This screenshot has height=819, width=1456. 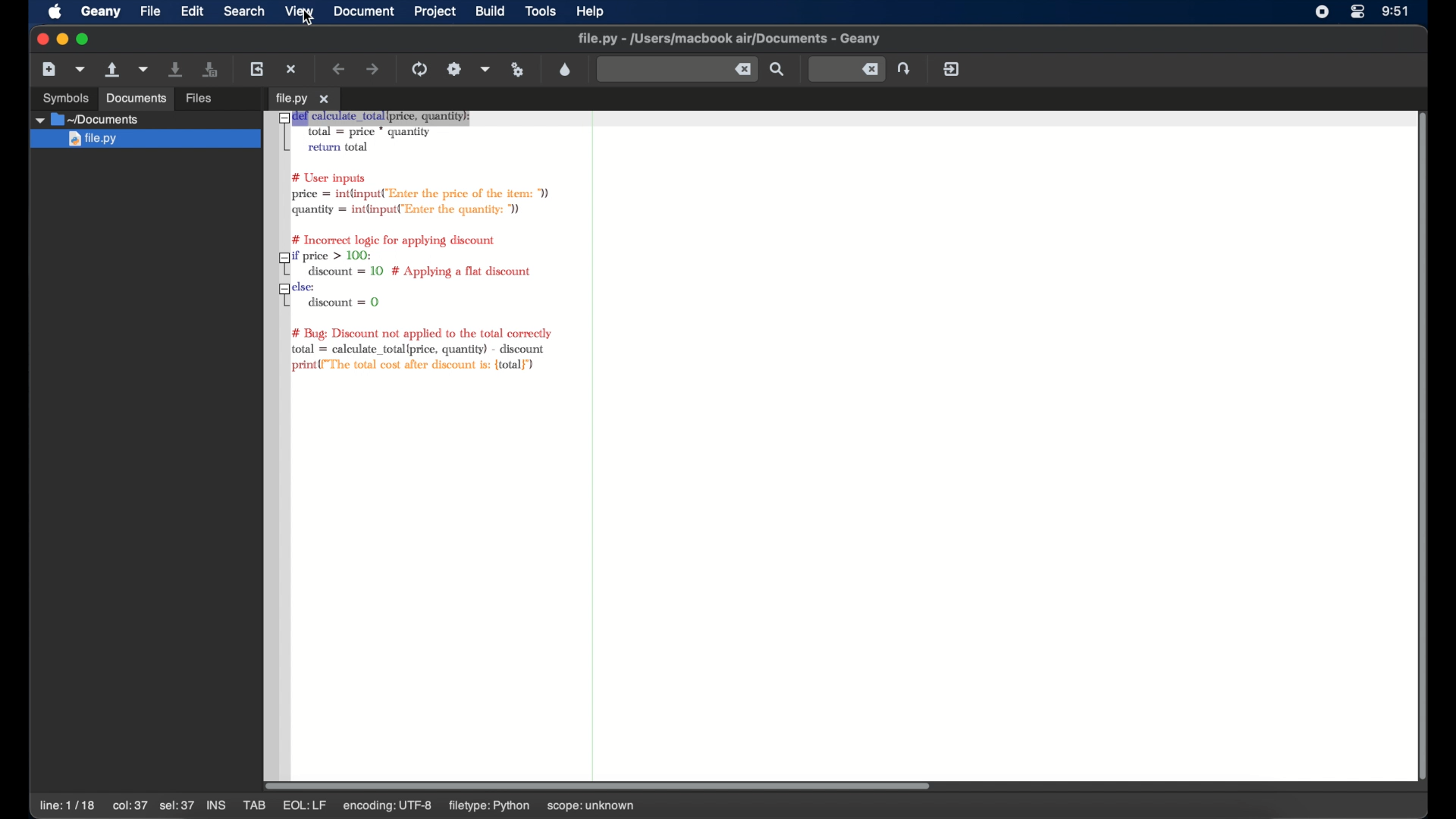 What do you see at coordinates (541, 11) in the screenshot?
I see `tools` at bounding box center [541, 11].